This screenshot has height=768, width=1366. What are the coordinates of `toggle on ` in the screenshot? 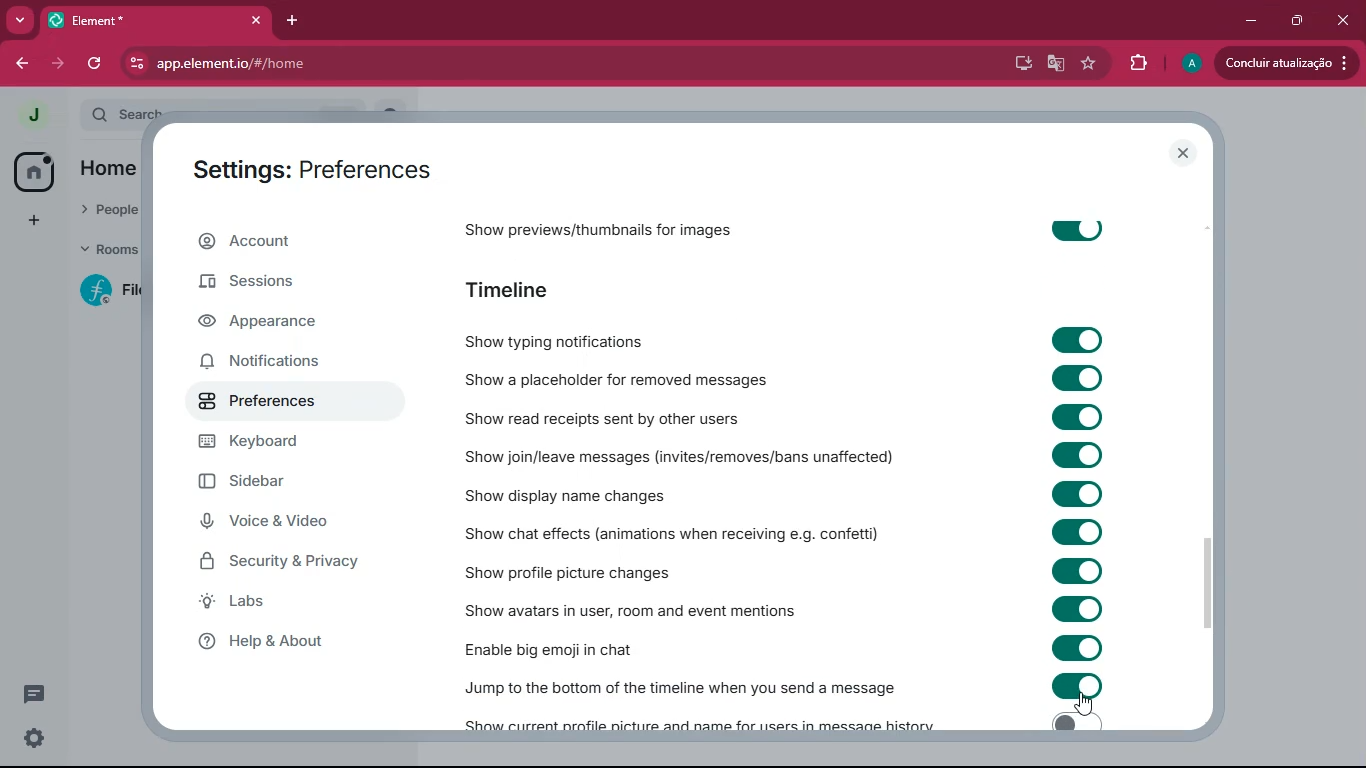 It's located at (1074, 227).